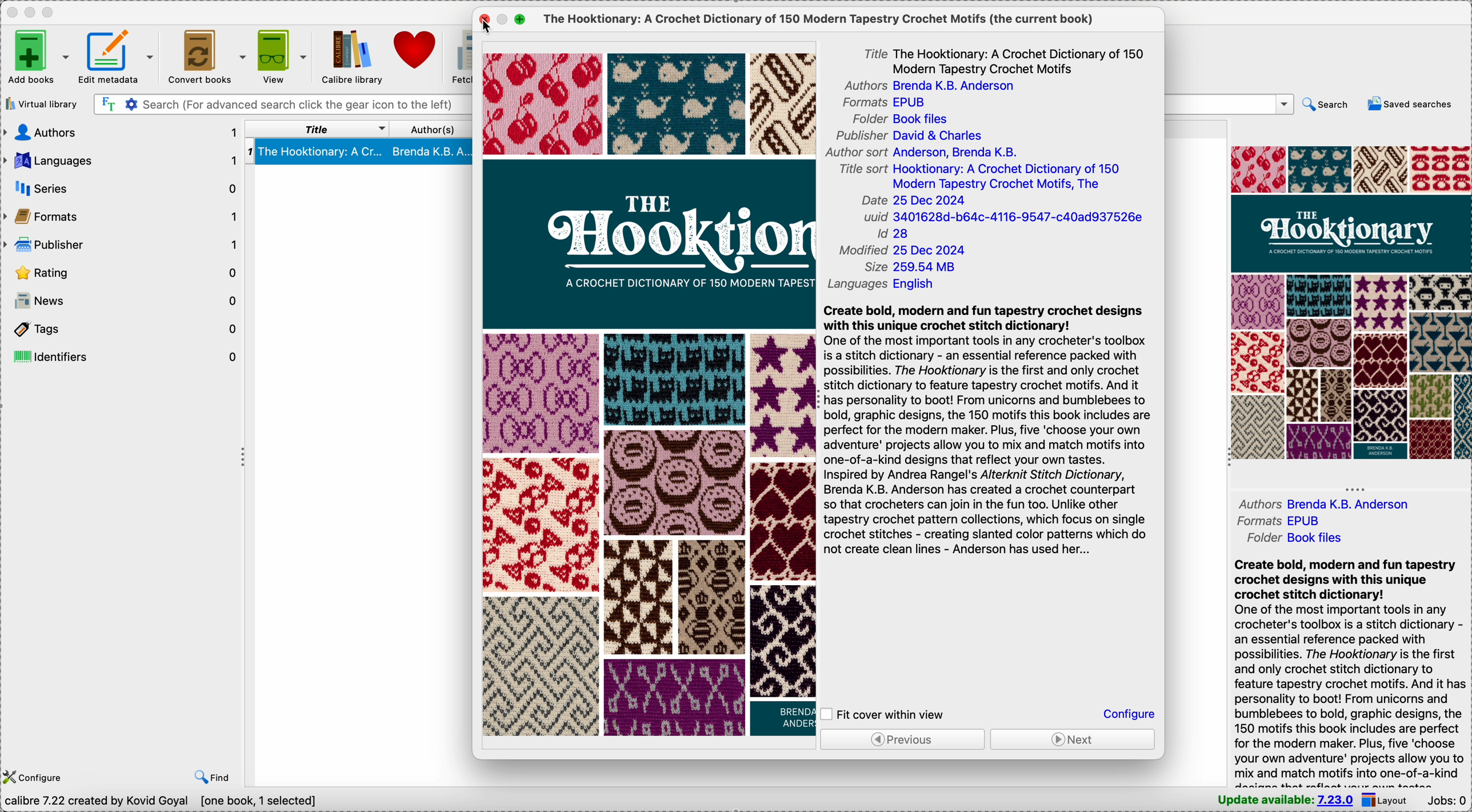 This screenshot has height=812, width=1472. I want to click on publisher, so click(907, 135).